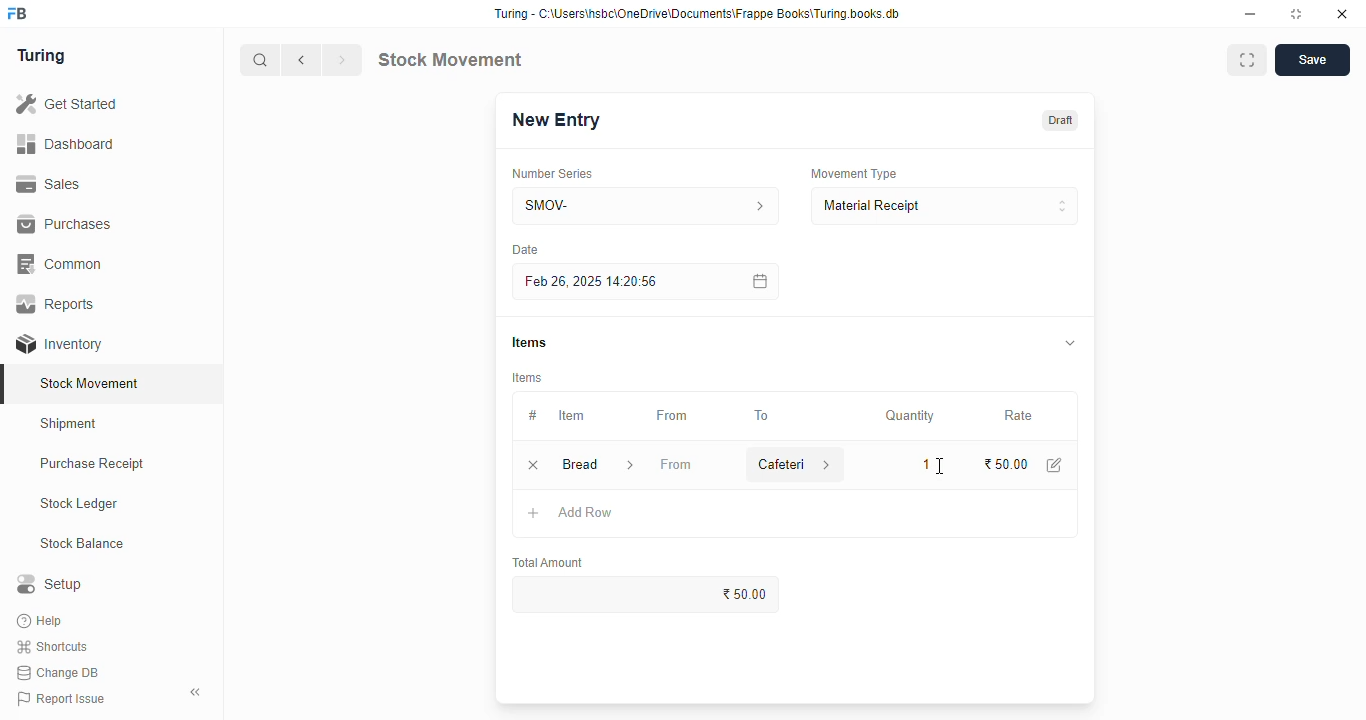  Describe the element at coordinates (676, 464) in the screenshot. I see `from` at that location.